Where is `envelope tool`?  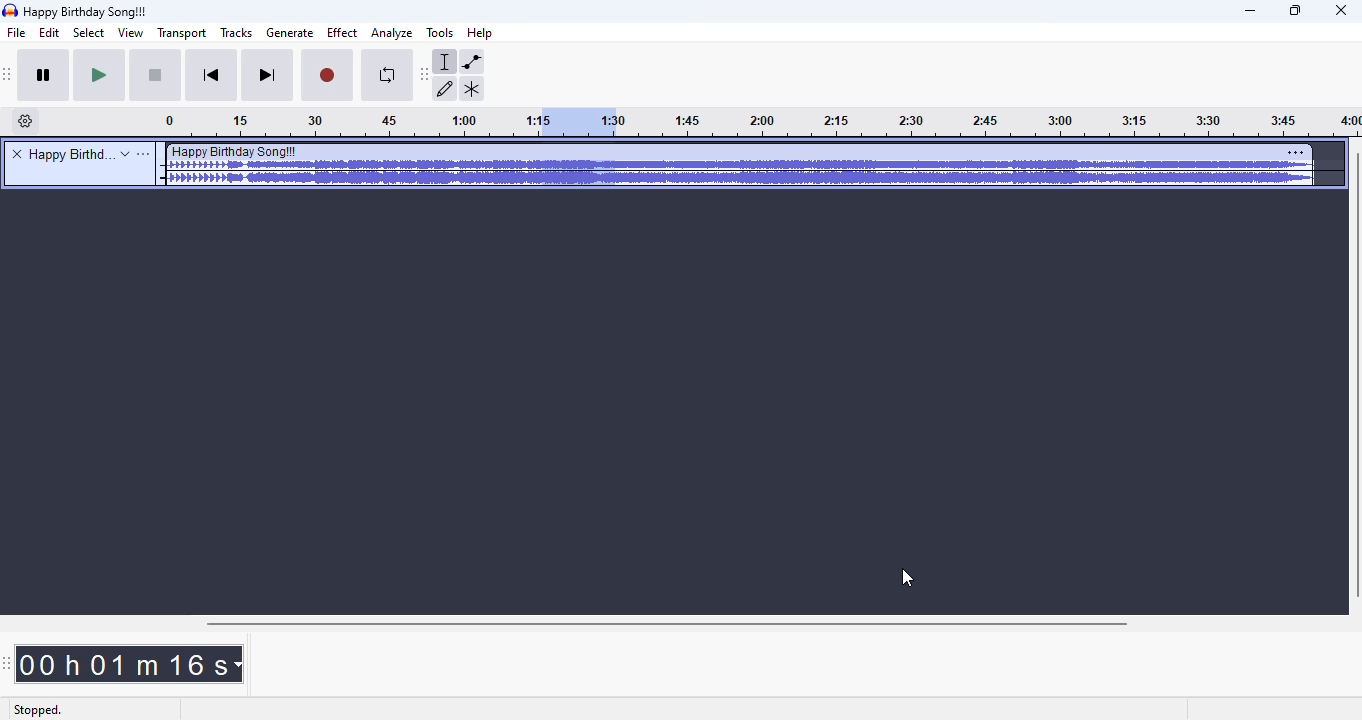 envelope tool is located at coordinates (472, 62).